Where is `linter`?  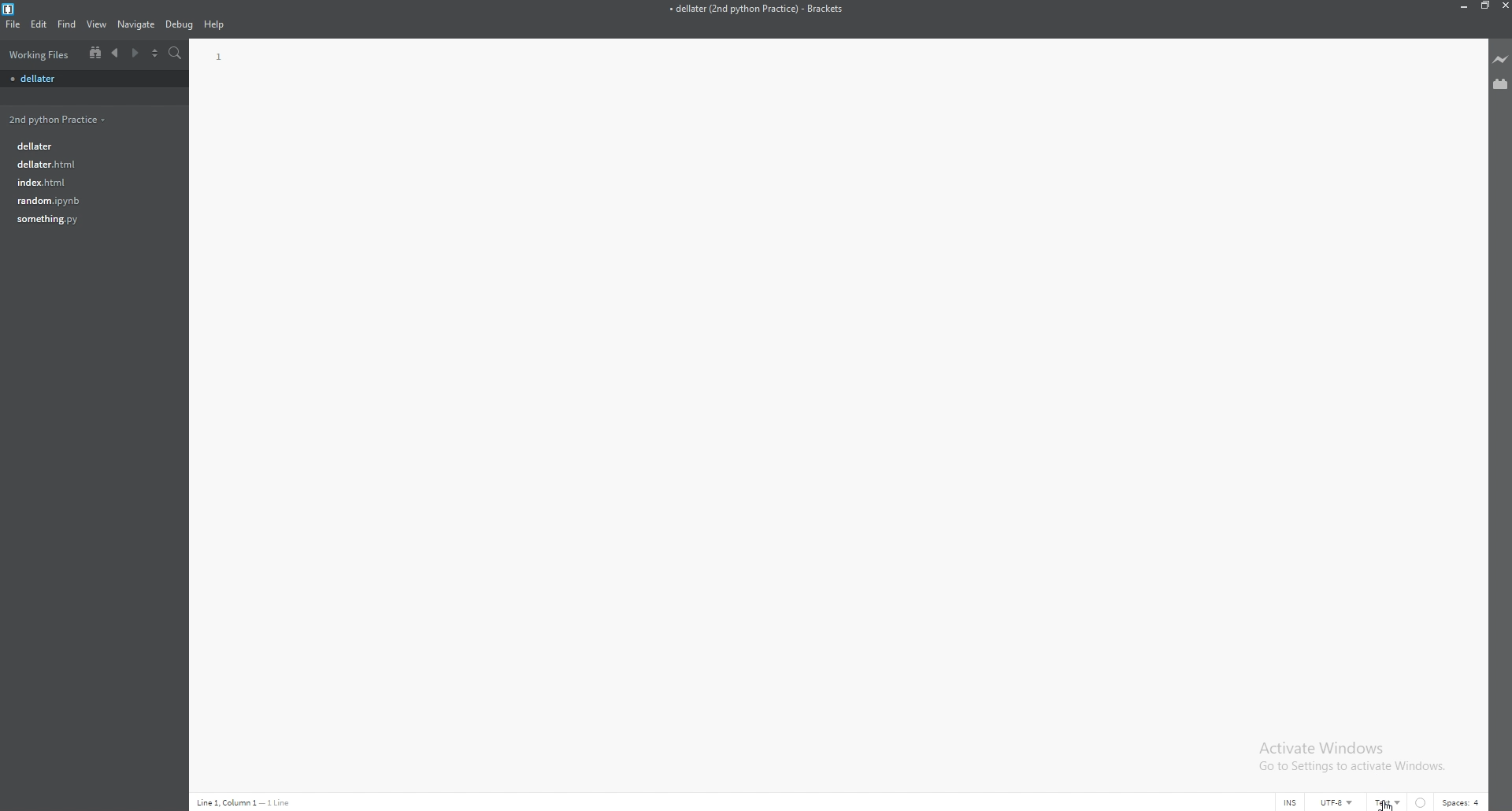
linter is located at coordinates (1421, 803).